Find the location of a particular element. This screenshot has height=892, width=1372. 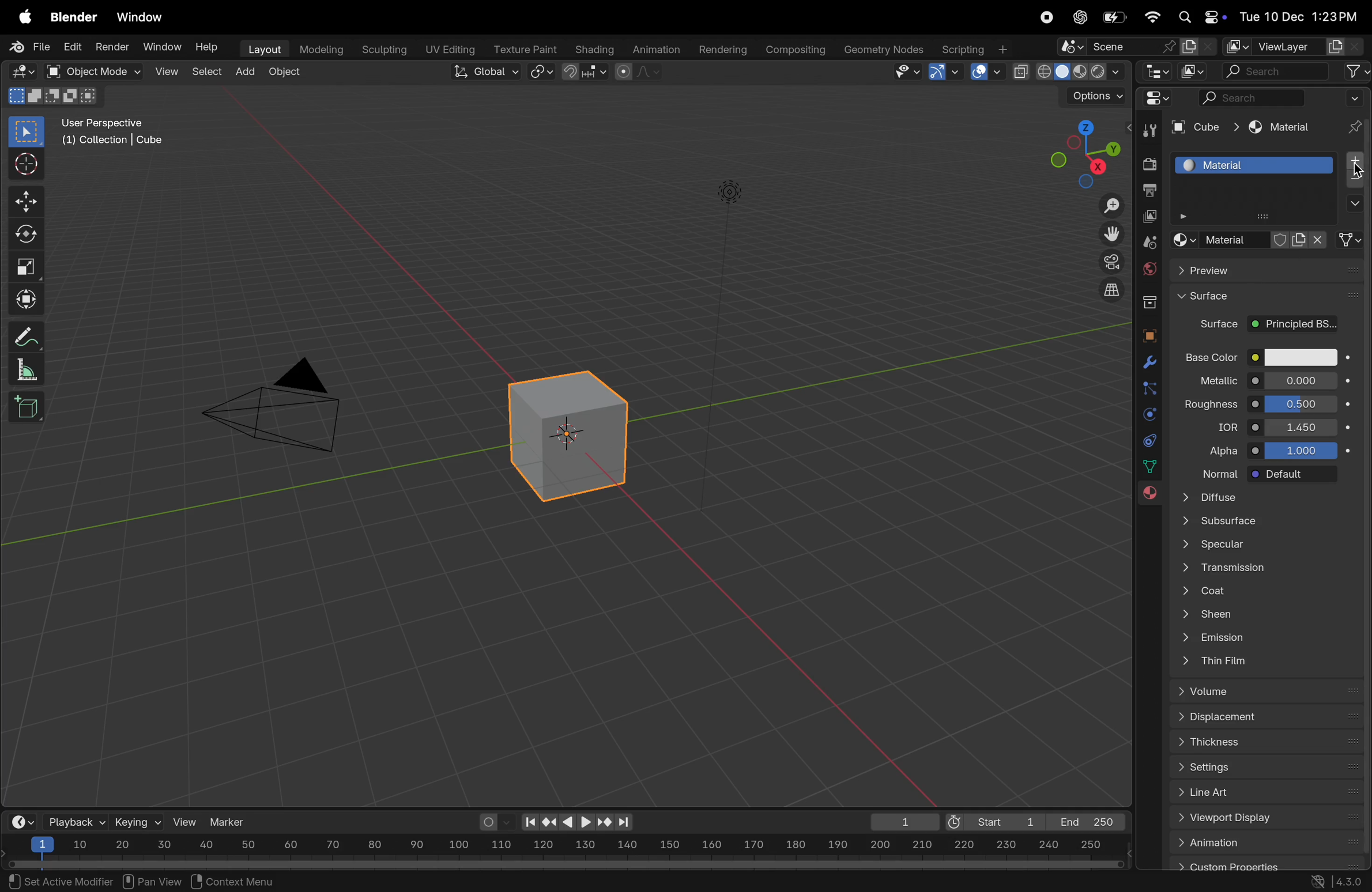

material is located at coordinates (1146, 495).